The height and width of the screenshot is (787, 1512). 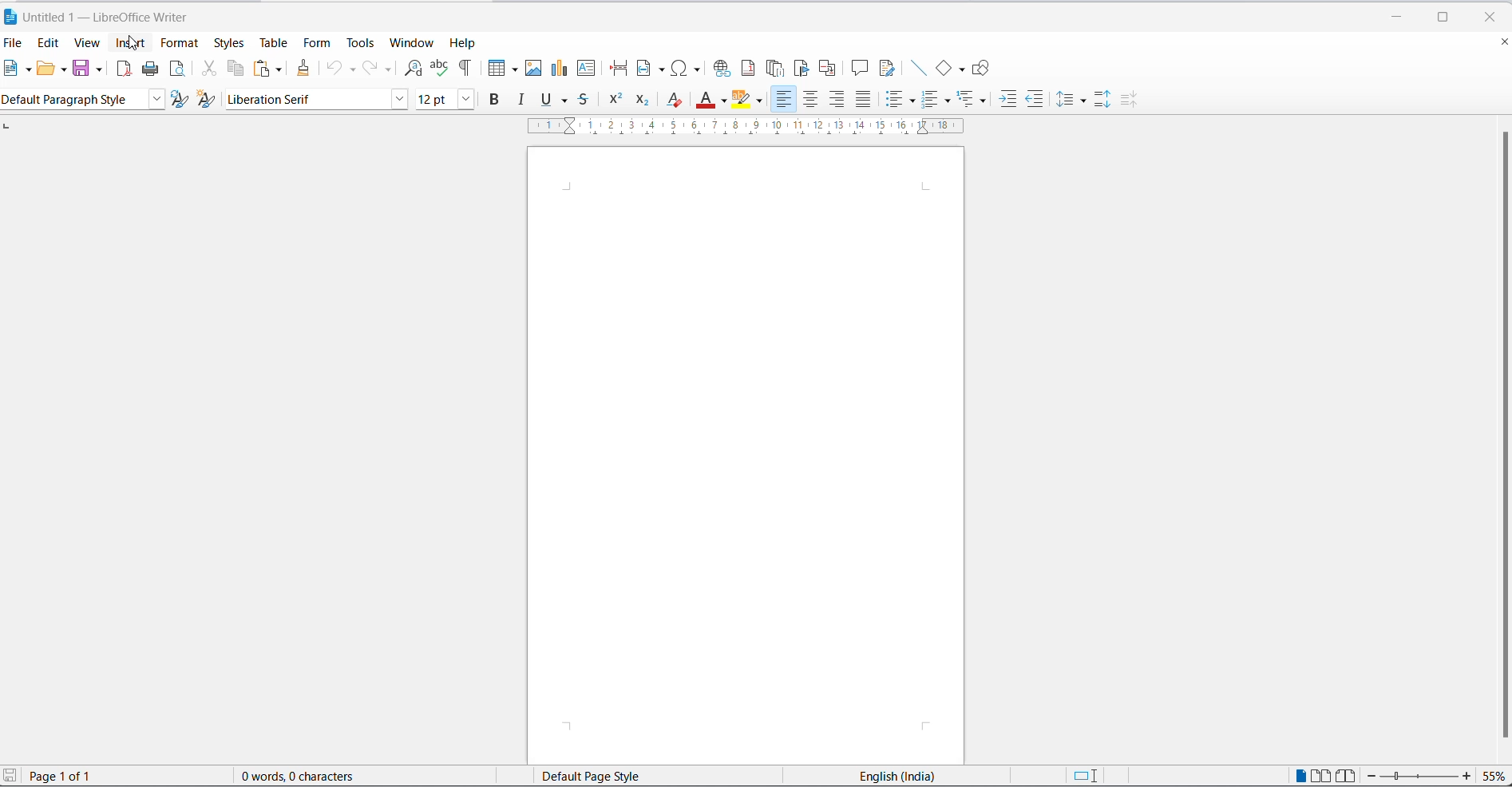 What do you see at coordinates (10, 774) in the screenshot?
I see `save` at bounding box center [10, 774].